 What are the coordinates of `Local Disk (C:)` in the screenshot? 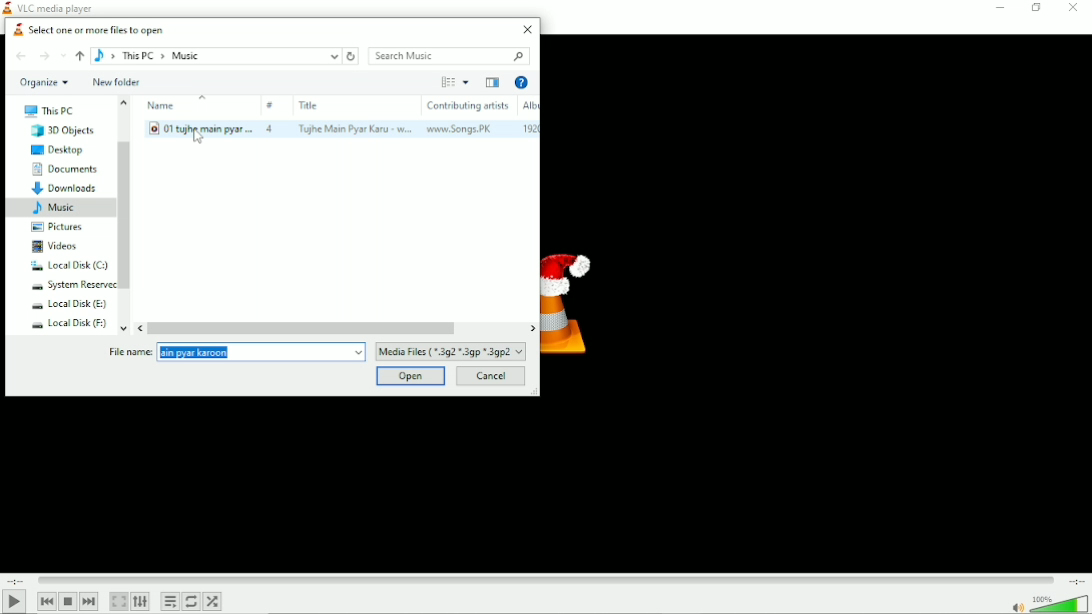 It's located at (67, 266).